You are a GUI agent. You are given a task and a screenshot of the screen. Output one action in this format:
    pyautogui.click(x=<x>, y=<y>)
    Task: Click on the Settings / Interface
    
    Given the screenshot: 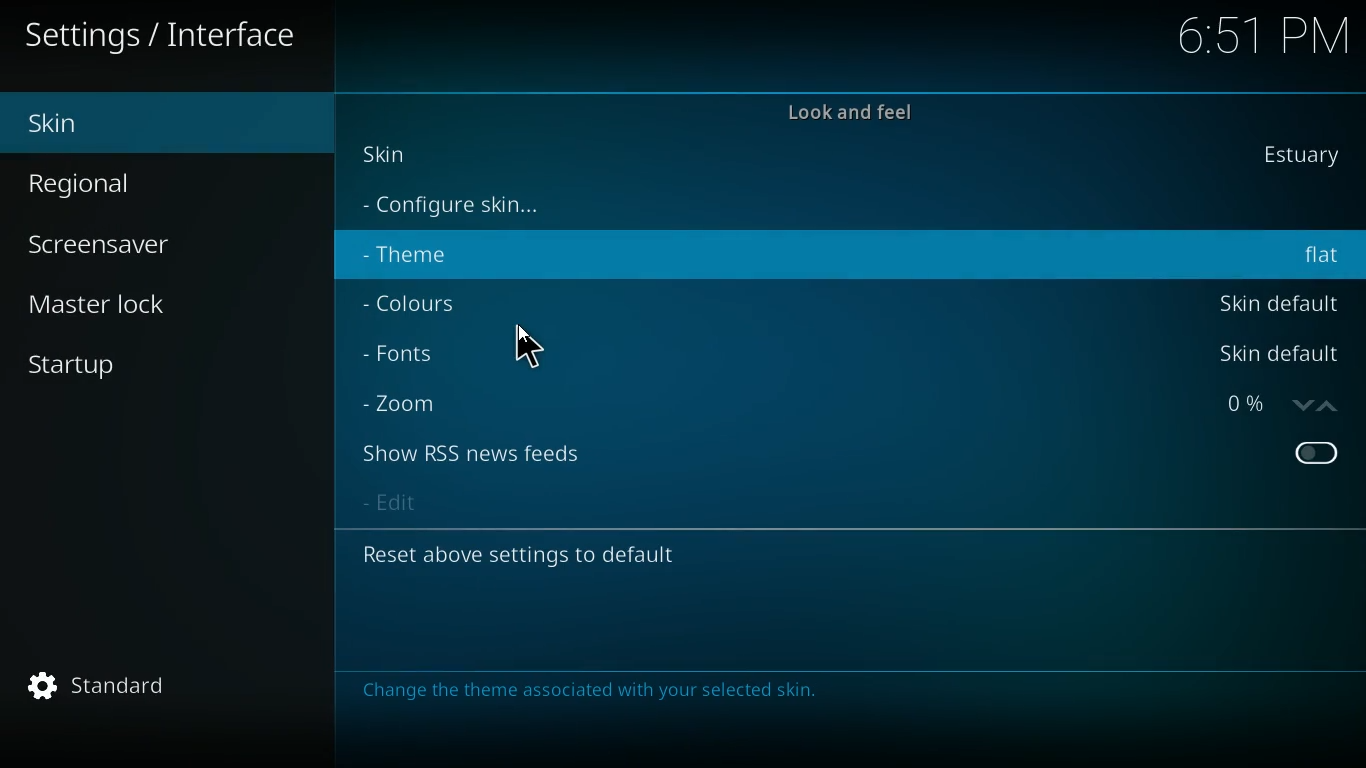 What is the action you would take?
    pyautogui.click(x=167, y=38)
    